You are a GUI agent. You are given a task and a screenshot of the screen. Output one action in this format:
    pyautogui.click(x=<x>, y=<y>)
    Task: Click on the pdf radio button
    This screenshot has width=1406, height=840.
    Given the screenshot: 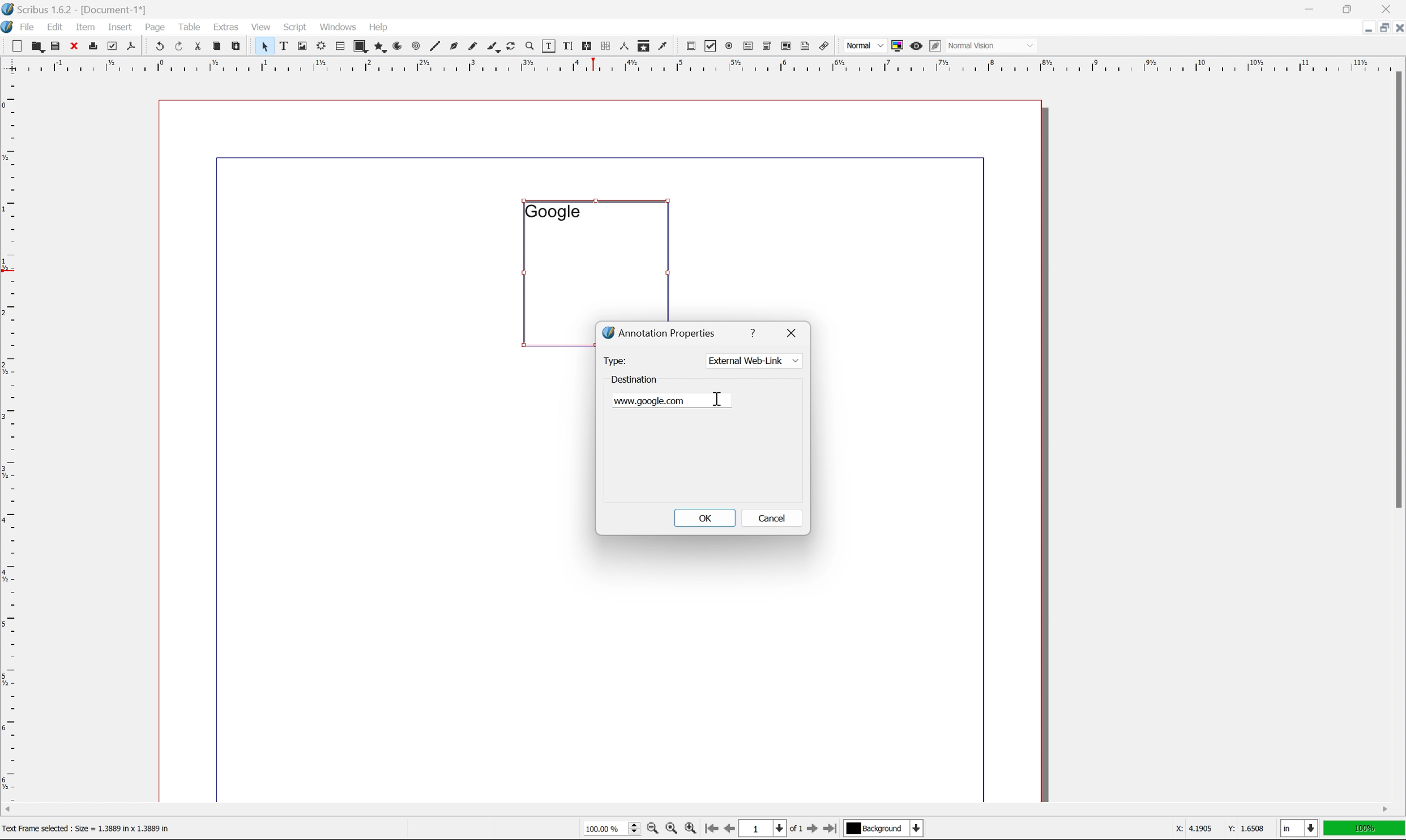 What is the action you would take?
    pyautogui.click(x=726, y=46)
    